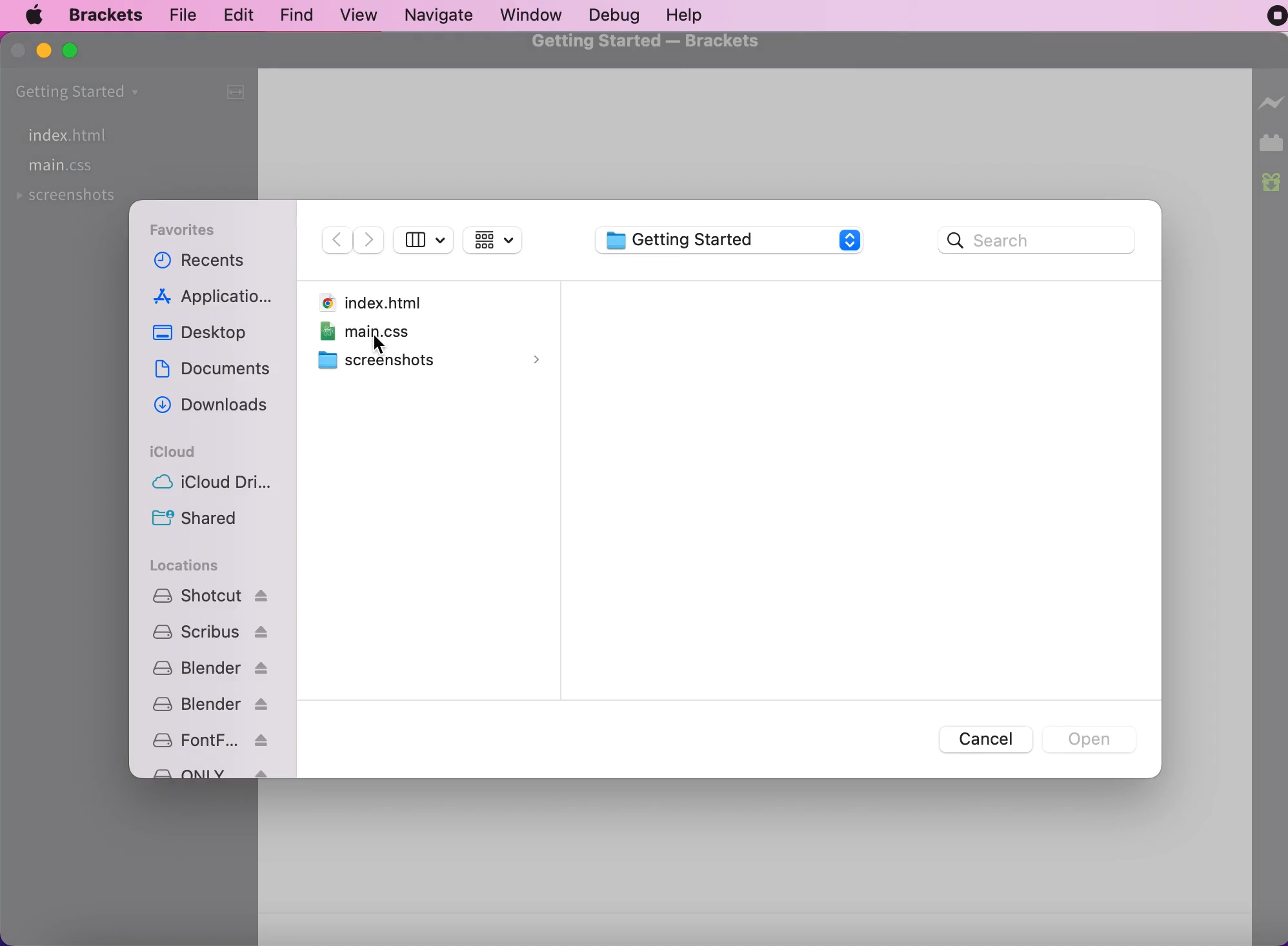 Image resolution: width=1288 pixels, height=946 pixels. Describe the element at coordinates (62, 167) in the screenshot. I see `main.css` at that location.